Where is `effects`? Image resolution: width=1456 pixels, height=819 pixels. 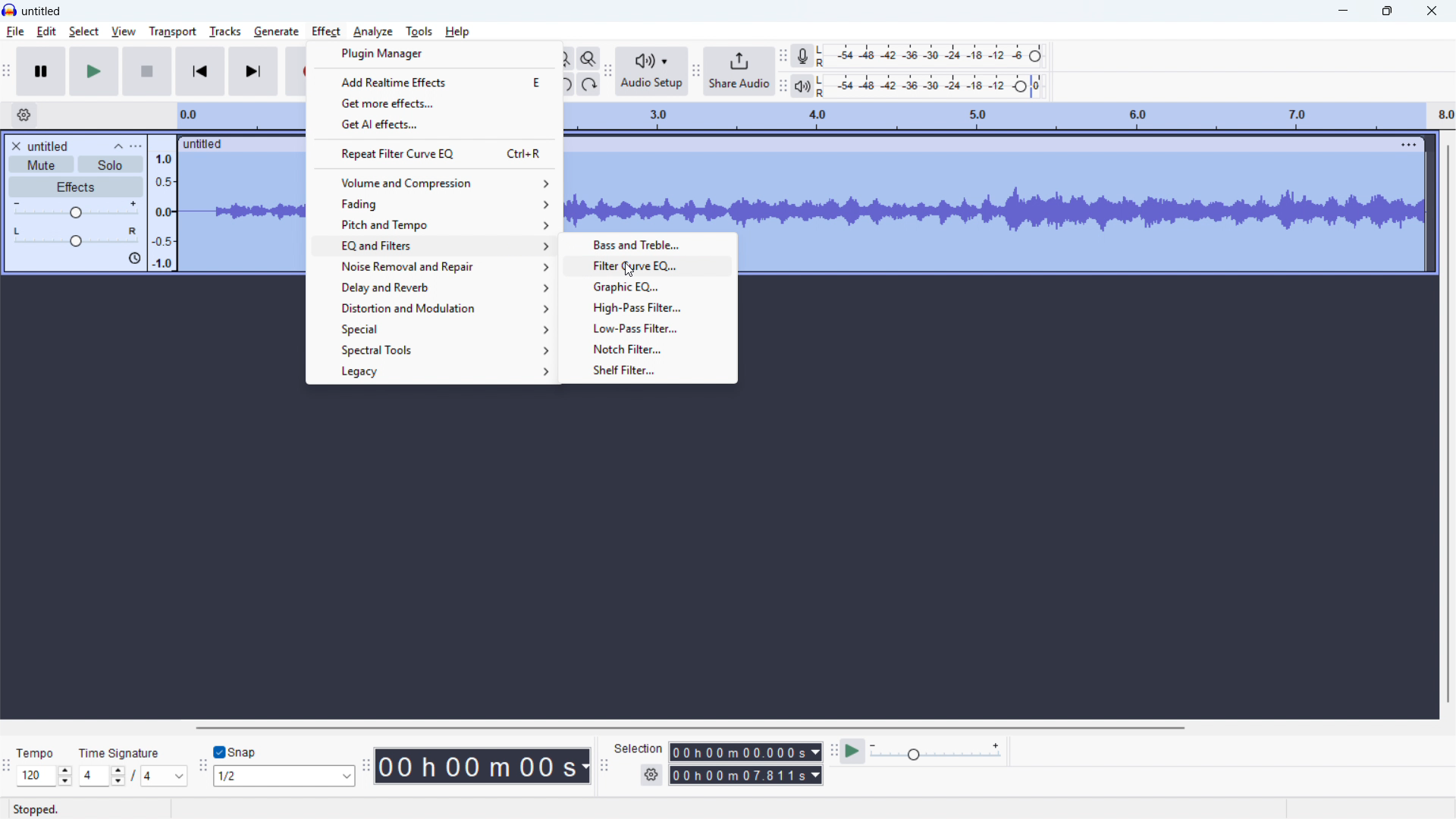 effects is located at coordinates (76, 187).